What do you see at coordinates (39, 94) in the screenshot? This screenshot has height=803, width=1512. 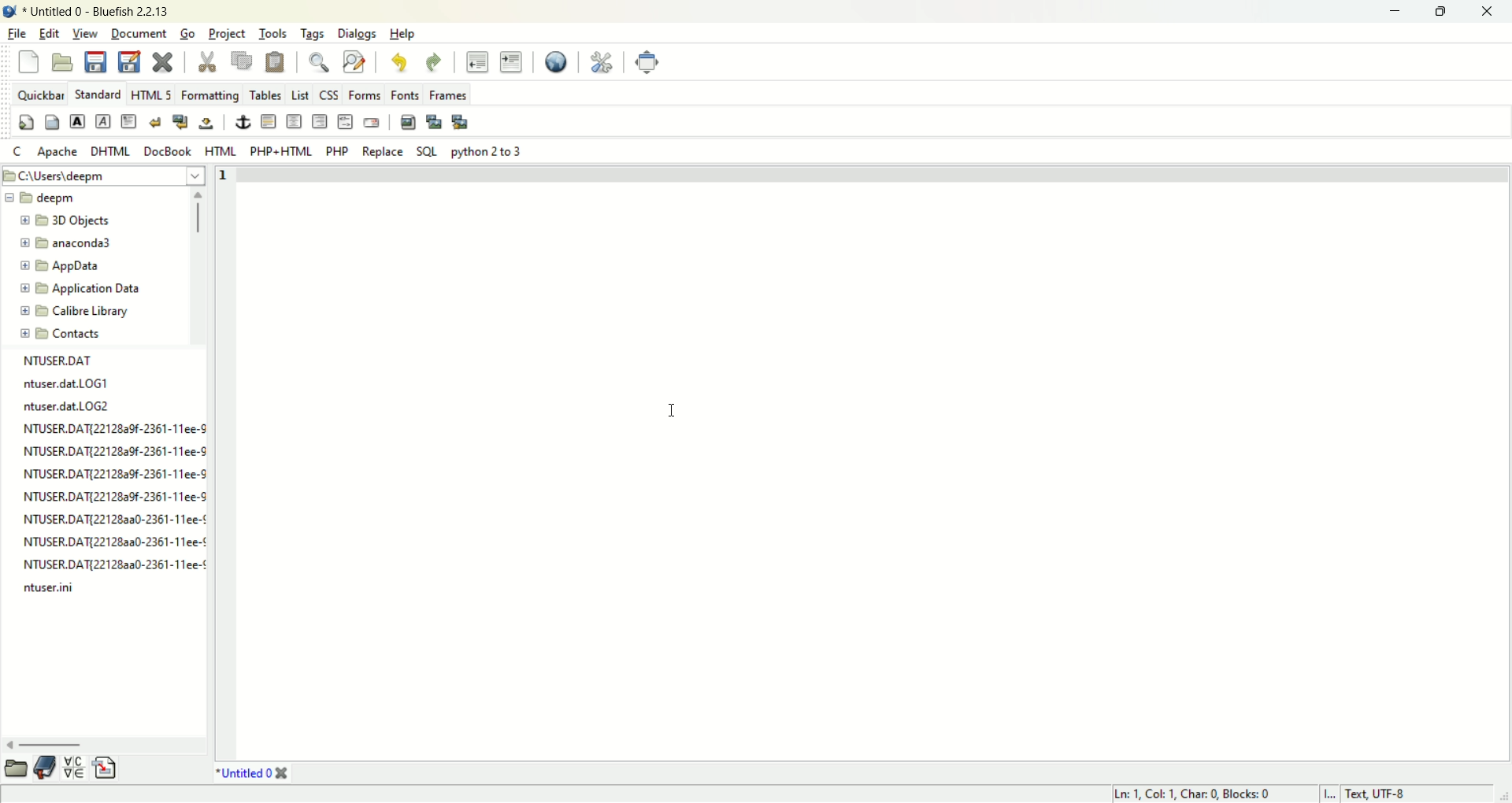 I see `quickbar` at bounding box center [39, 94].